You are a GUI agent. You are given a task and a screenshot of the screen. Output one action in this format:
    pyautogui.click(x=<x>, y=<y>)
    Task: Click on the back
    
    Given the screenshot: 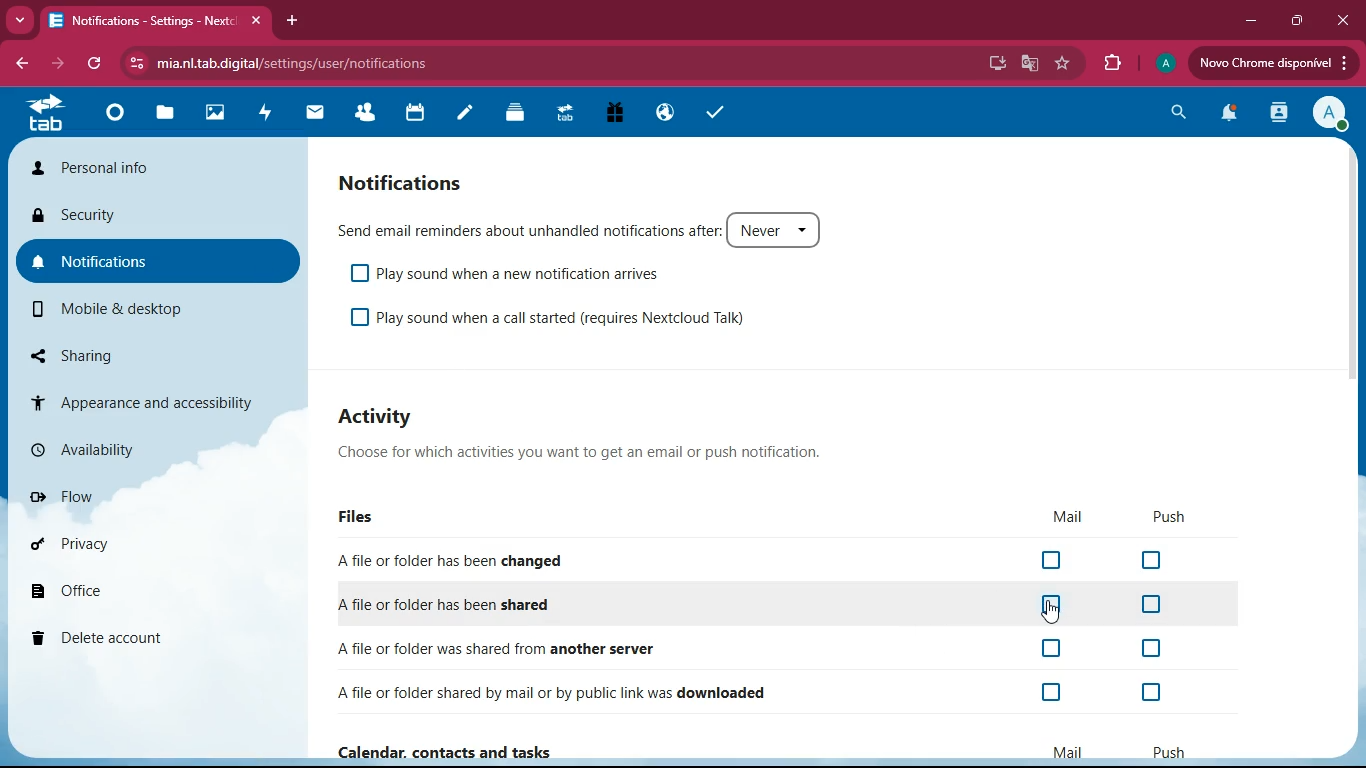 What is the action you would take?
    pyautogui.click(x=21, y=65)
    